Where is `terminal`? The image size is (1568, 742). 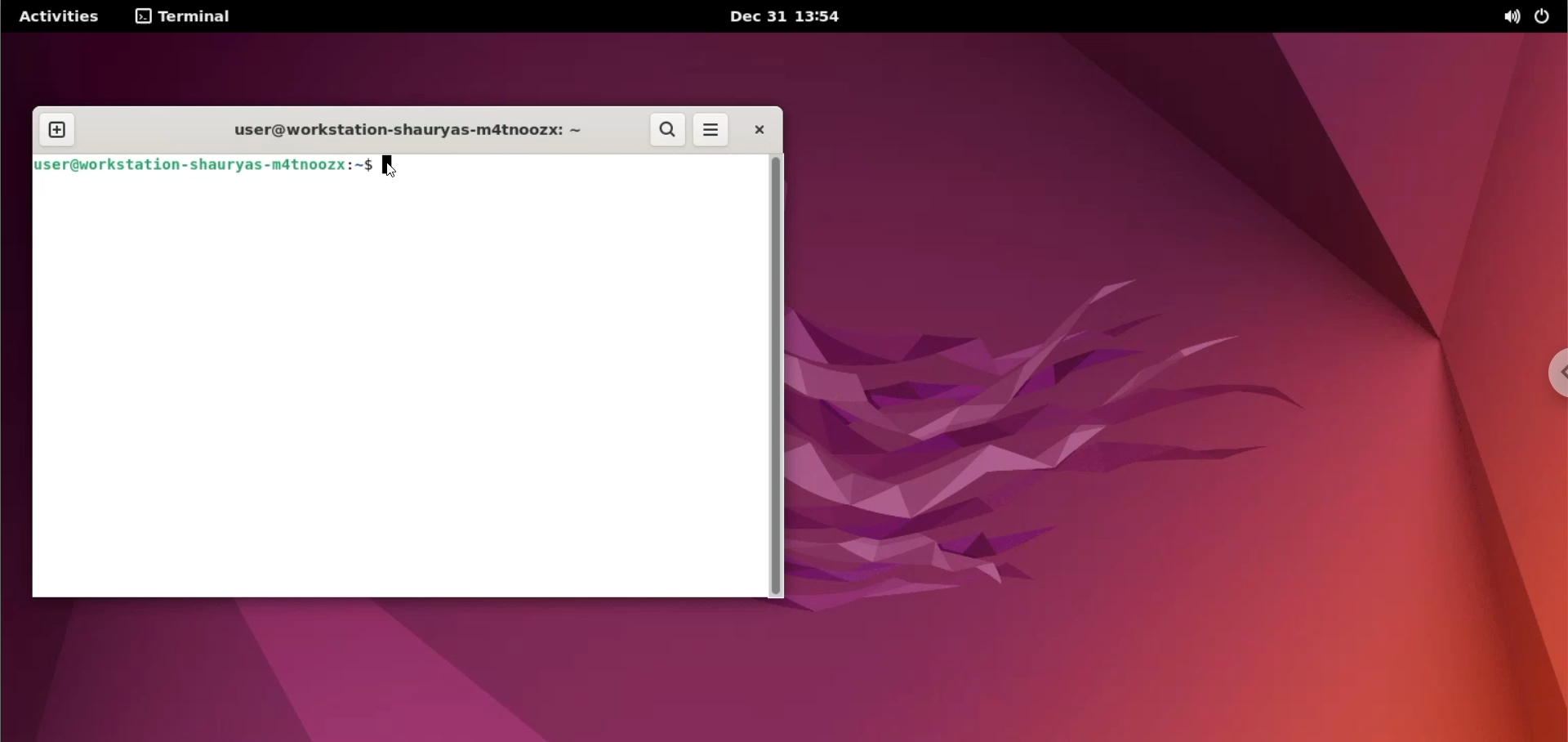
terminal is located at coordinates (189, 15).